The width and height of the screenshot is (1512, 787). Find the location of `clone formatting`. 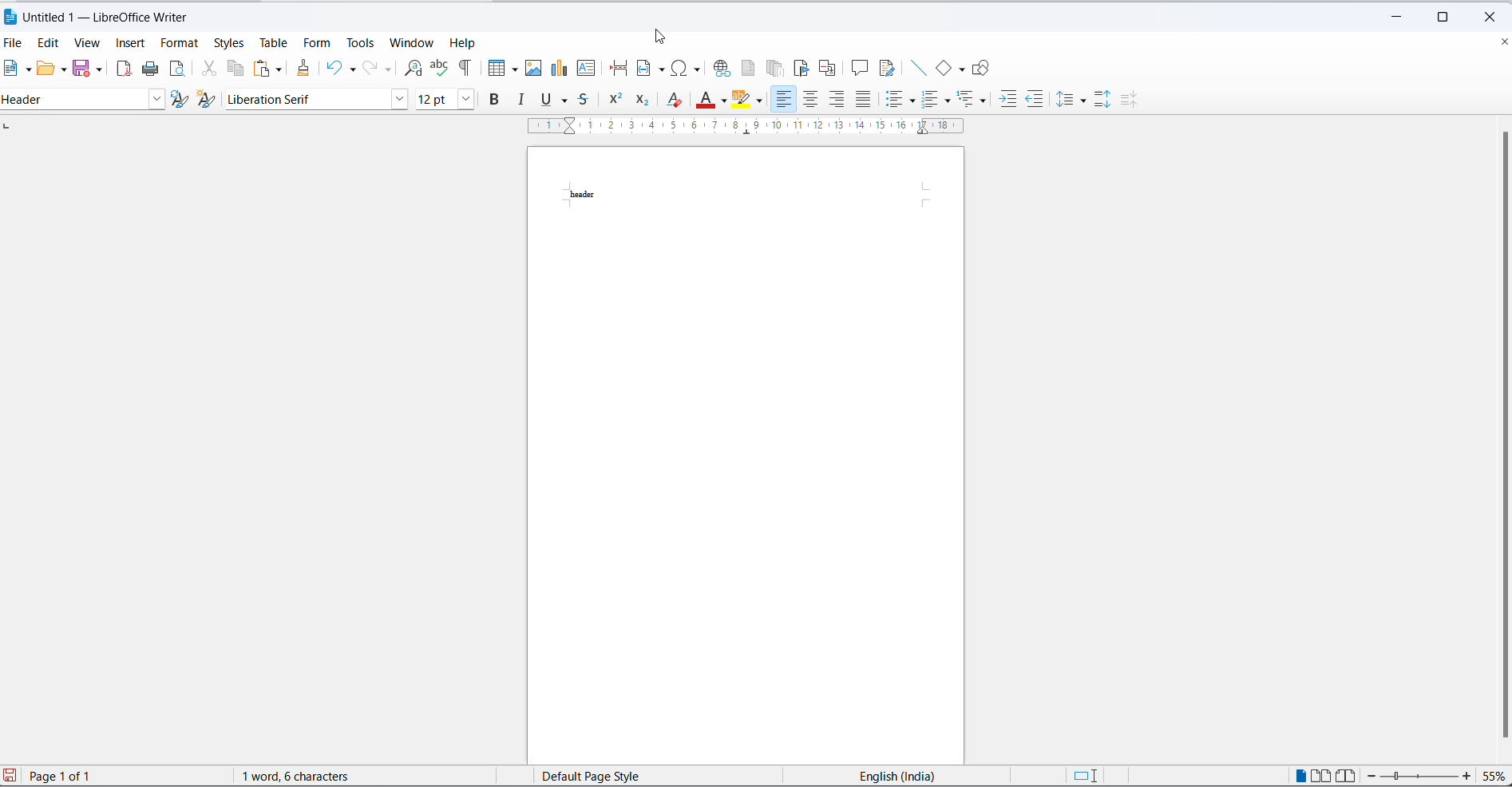

clone formatting is located at coordinates (303, 69).